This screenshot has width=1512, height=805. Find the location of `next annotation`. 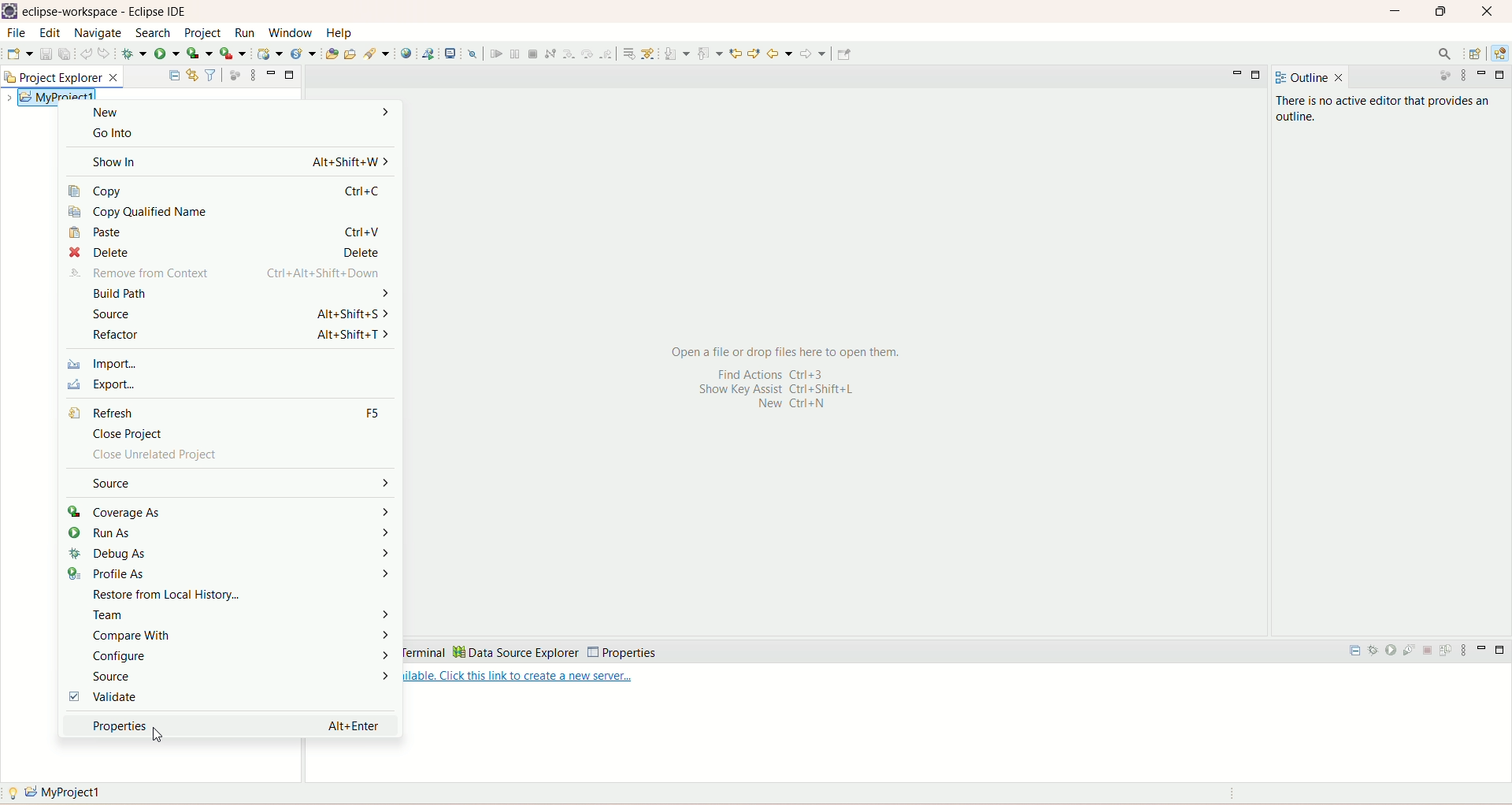

next annotation is located at coordinates (678, 55).